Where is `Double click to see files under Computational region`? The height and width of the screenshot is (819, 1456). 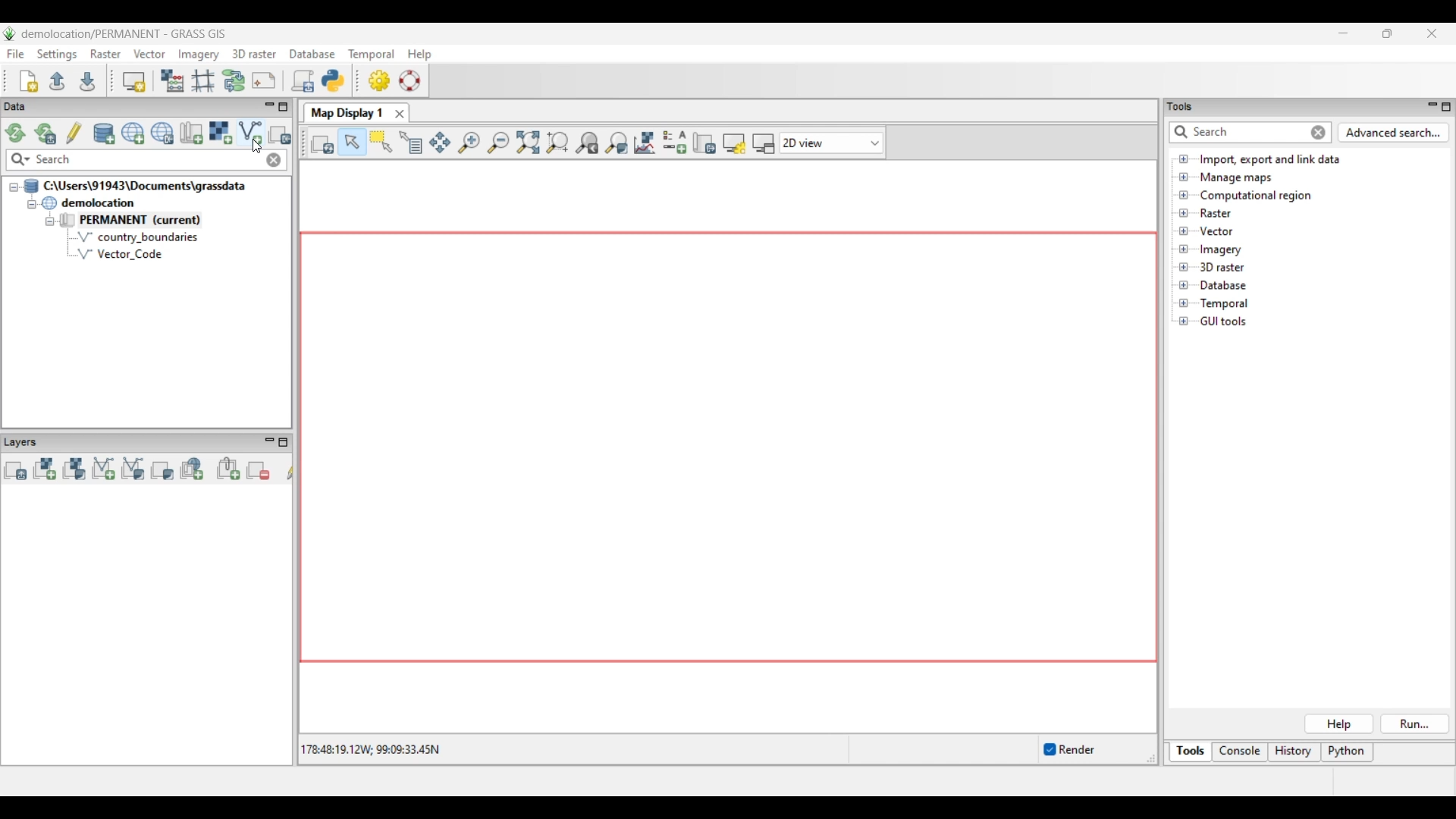 Double click to see files under Computational region is located at coordinates (1256, 196).